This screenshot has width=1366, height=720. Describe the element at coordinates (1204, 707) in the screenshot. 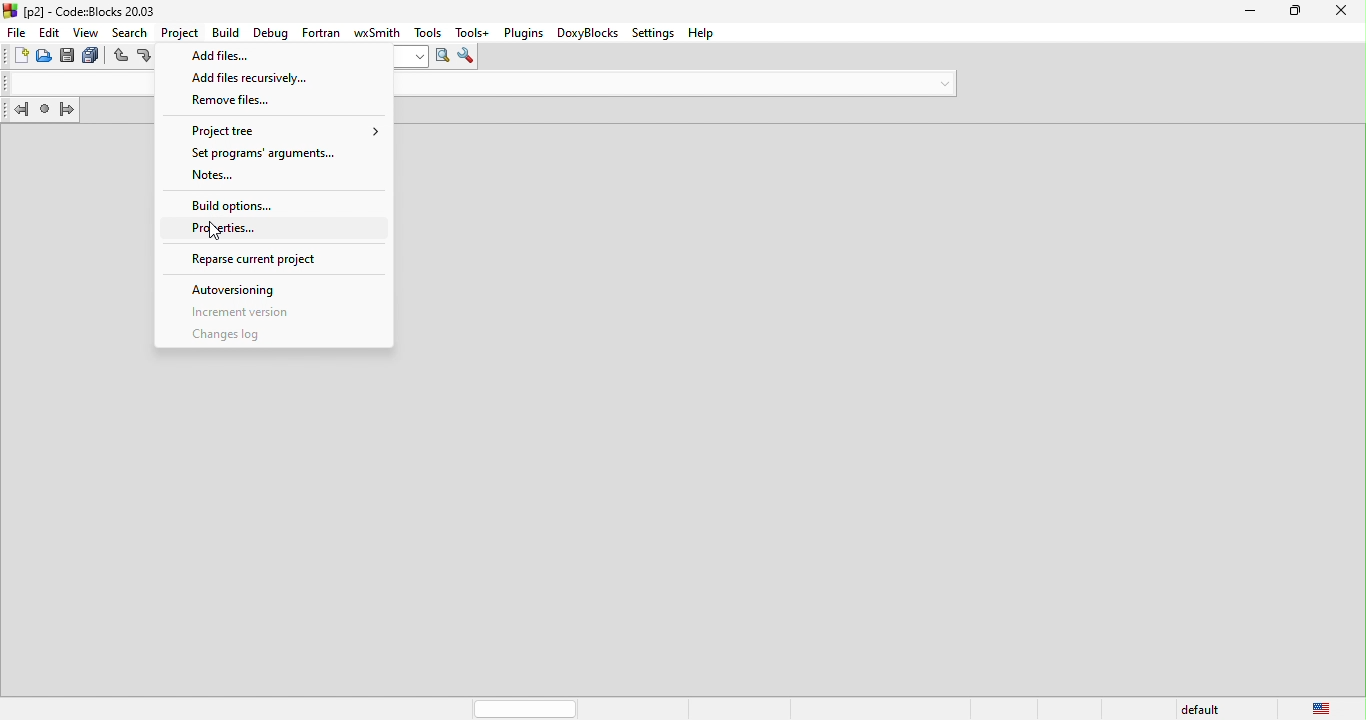

I see `default` at that location.